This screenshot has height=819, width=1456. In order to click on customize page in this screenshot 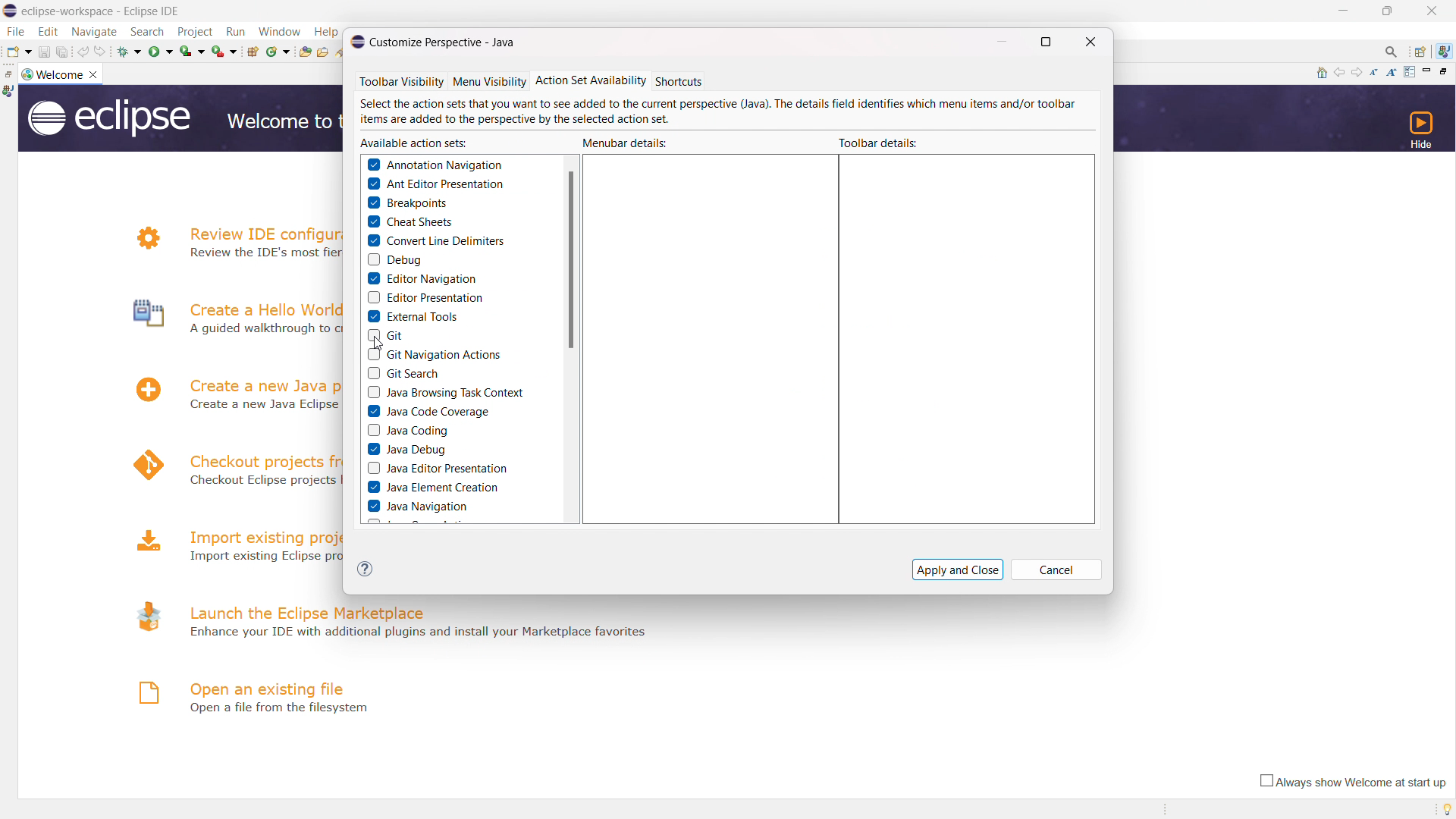, I will do `click(1409, 72)`.